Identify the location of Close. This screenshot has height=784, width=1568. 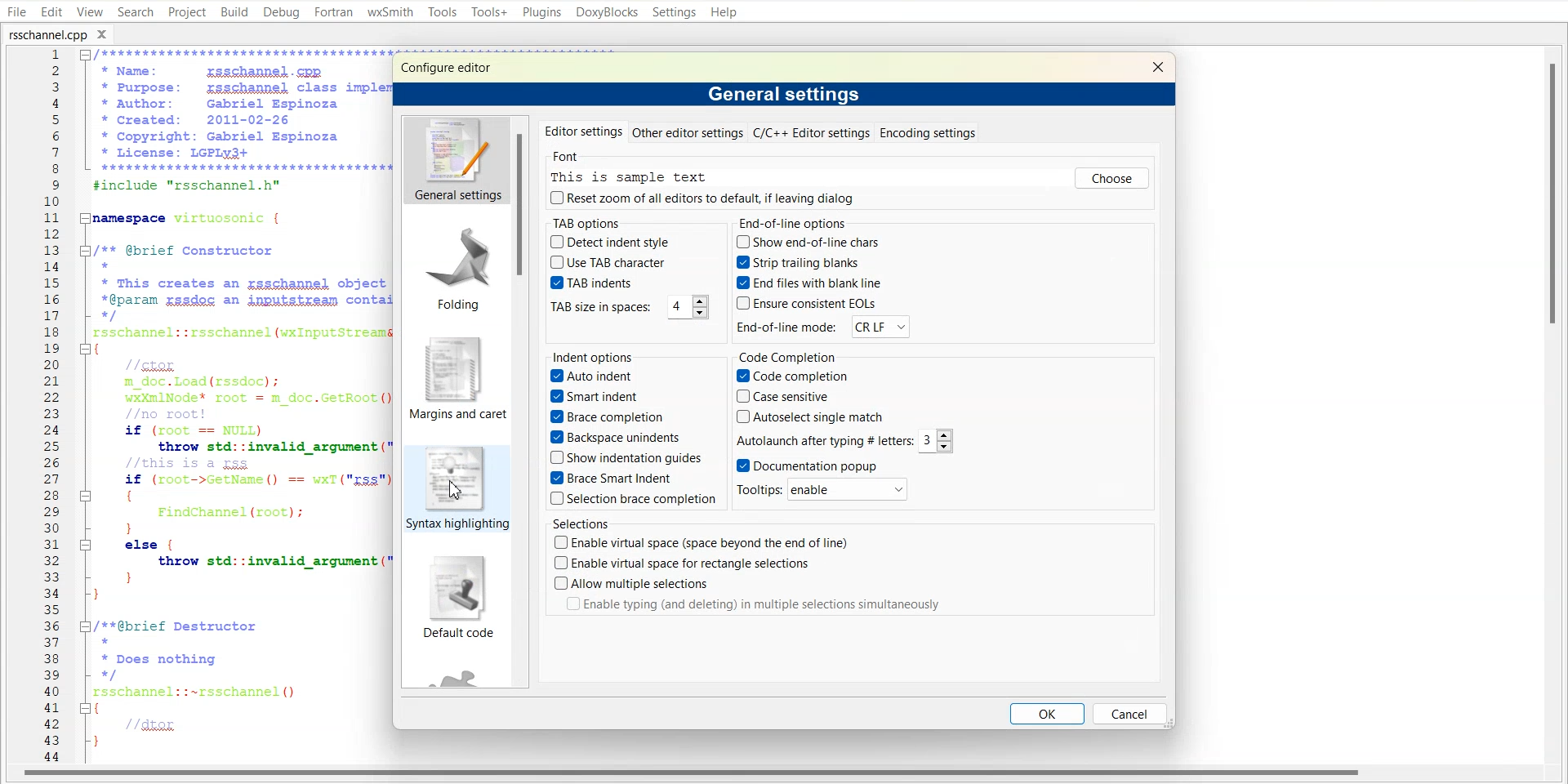
(1157, 66).